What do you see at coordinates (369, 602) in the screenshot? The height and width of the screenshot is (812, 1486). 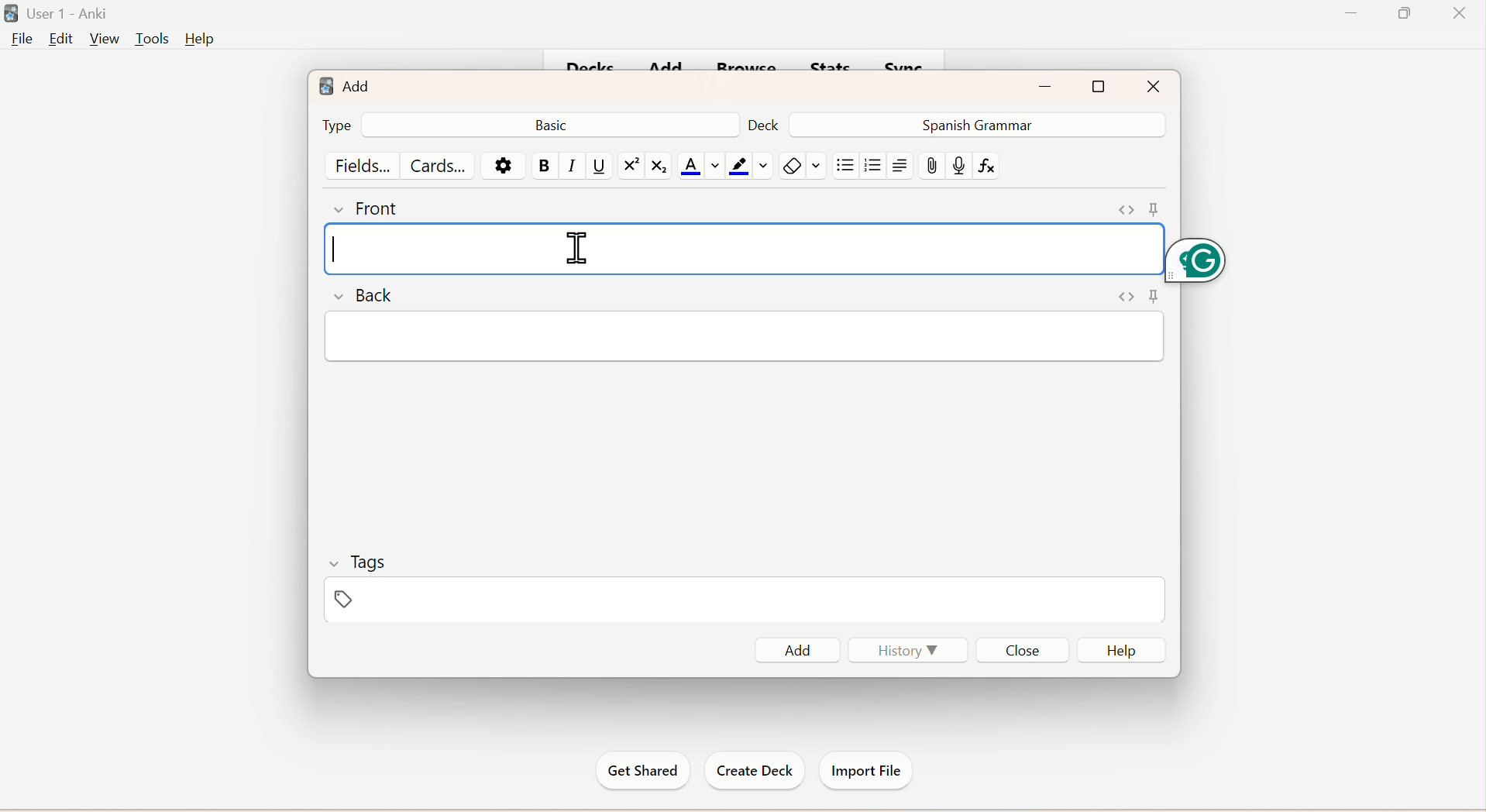 I see `Tags` at bounding box center [369, 602].